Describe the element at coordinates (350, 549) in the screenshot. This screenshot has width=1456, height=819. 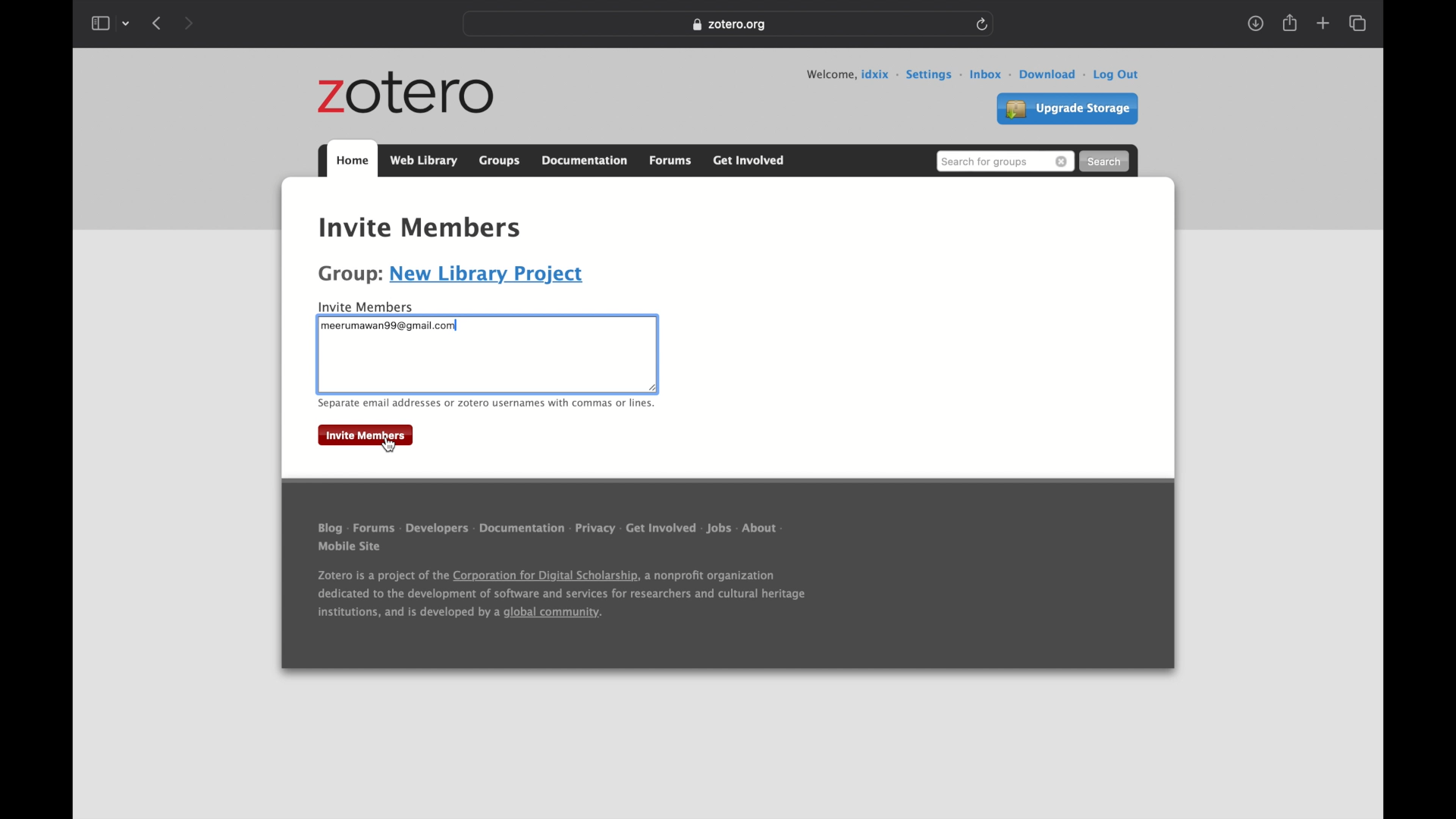
I see `mobile site` at that location.